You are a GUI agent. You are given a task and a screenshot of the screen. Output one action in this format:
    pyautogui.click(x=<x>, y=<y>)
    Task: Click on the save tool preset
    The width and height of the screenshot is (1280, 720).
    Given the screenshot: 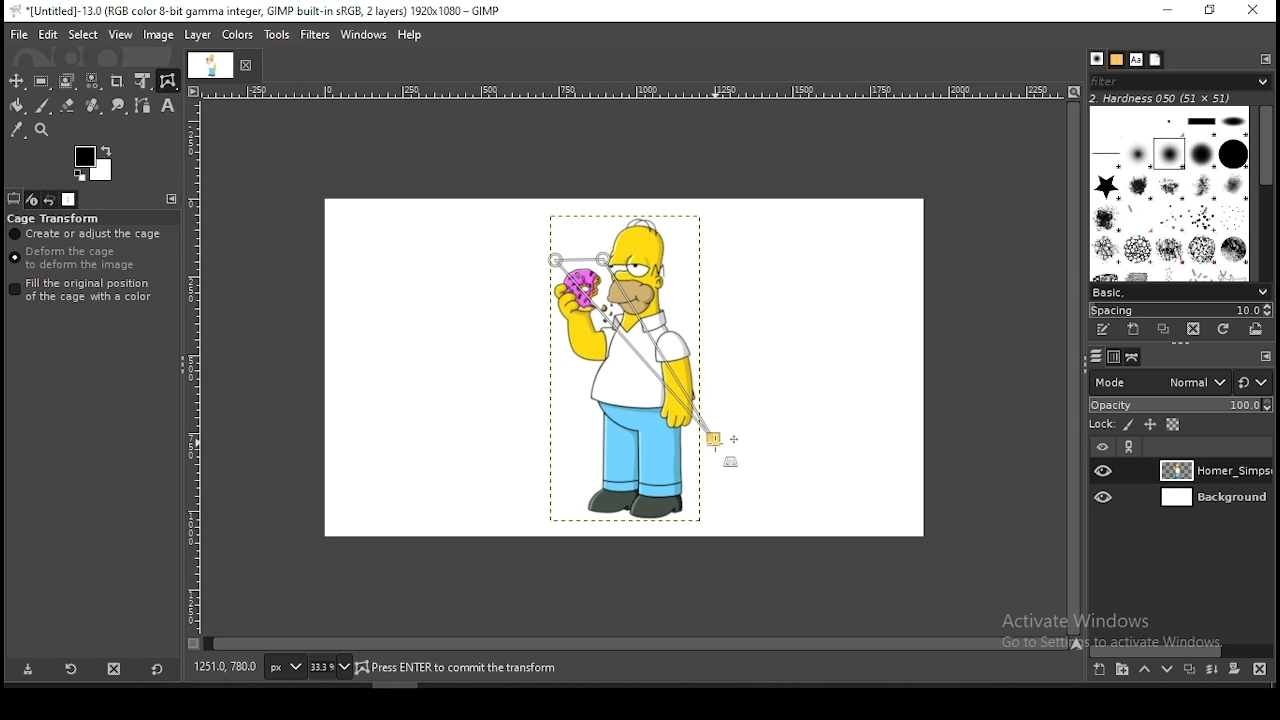 What is the action you would take?
    pyautogui.click(x=28, y=670)
    